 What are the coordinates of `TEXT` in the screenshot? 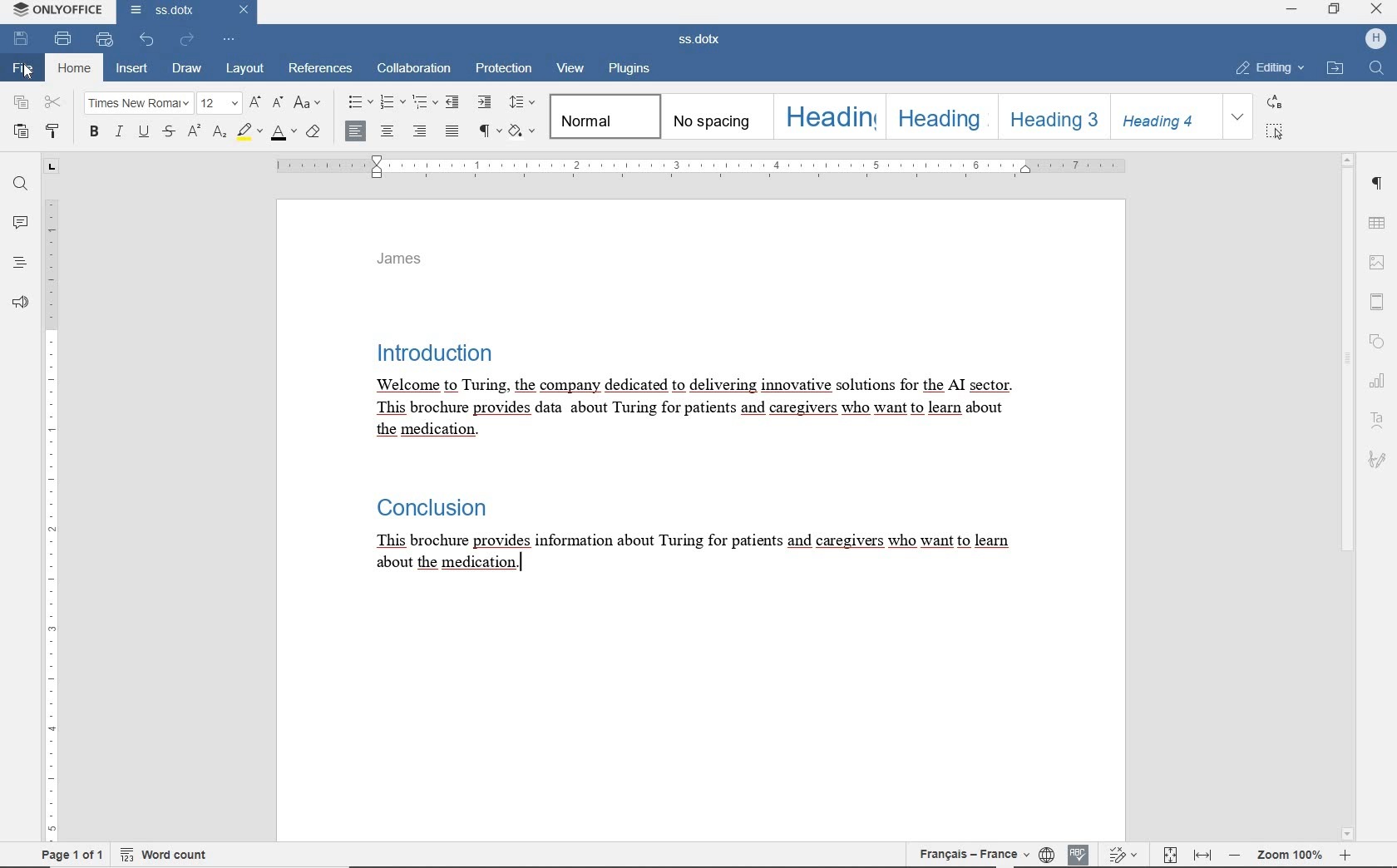 It's located at (698, 475).